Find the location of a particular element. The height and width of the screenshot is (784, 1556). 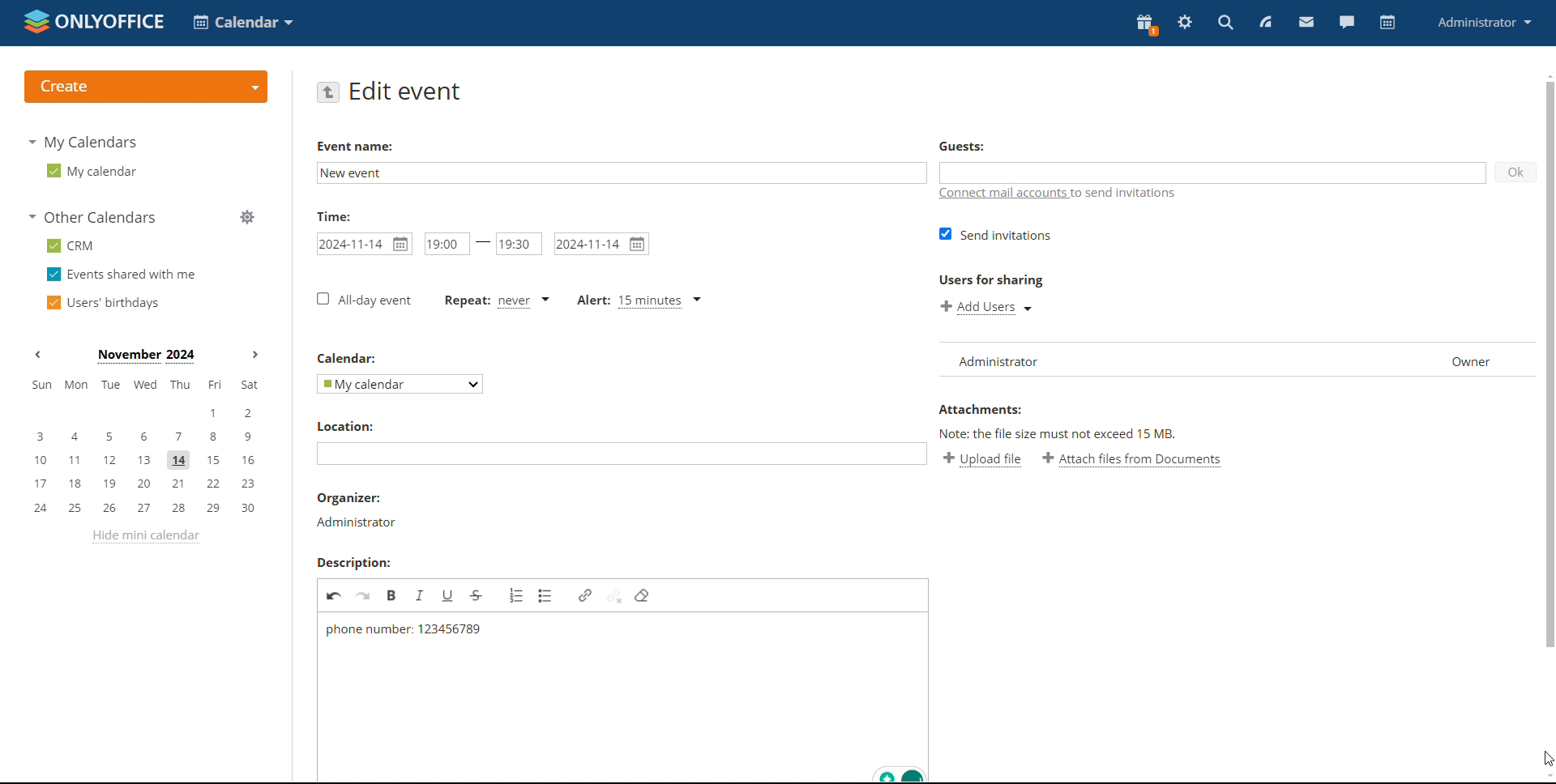

manage is located at coordinates (247, 219).